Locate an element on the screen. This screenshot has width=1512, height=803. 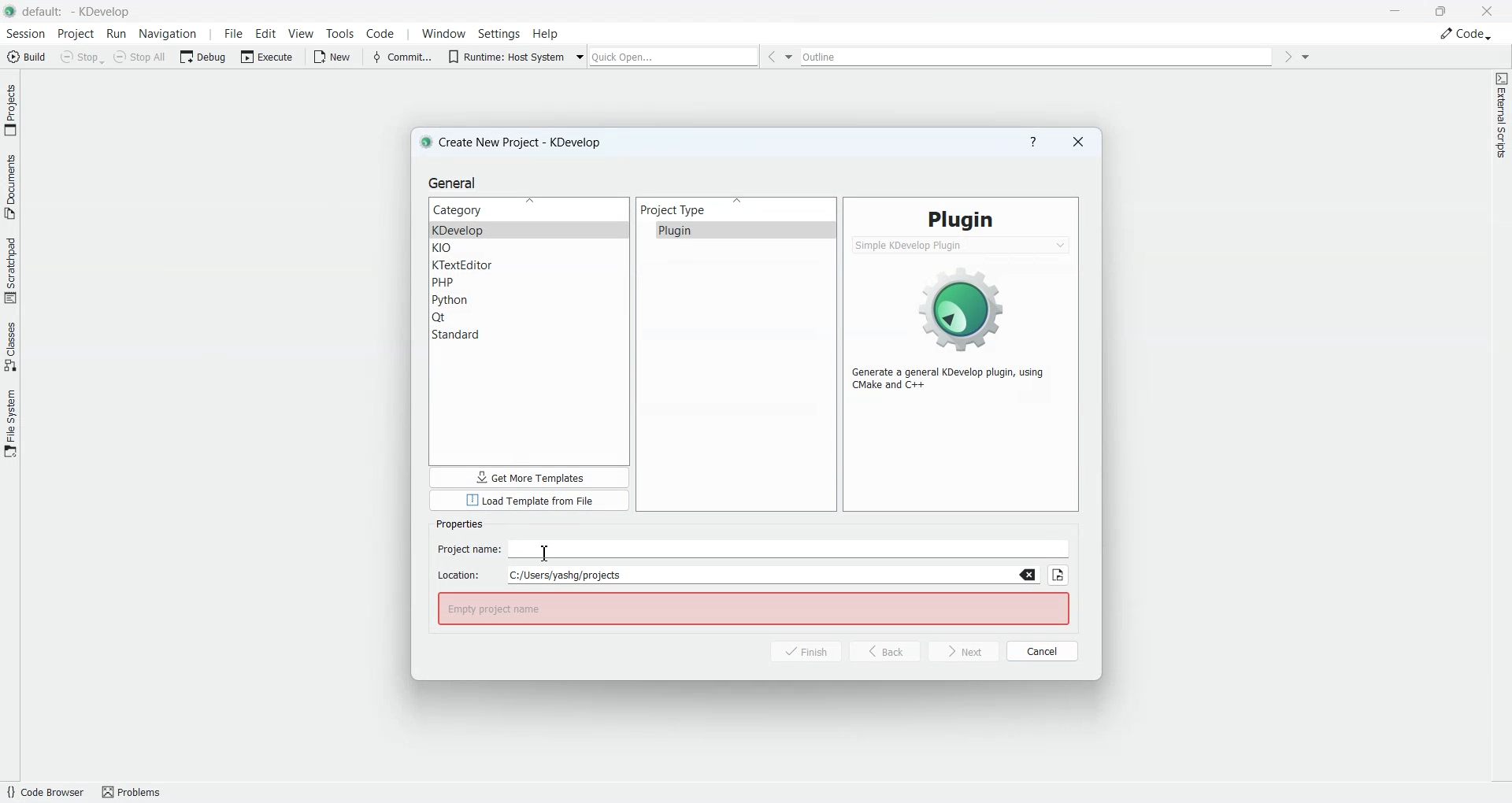
Edit is located at coordinates (266, 33).